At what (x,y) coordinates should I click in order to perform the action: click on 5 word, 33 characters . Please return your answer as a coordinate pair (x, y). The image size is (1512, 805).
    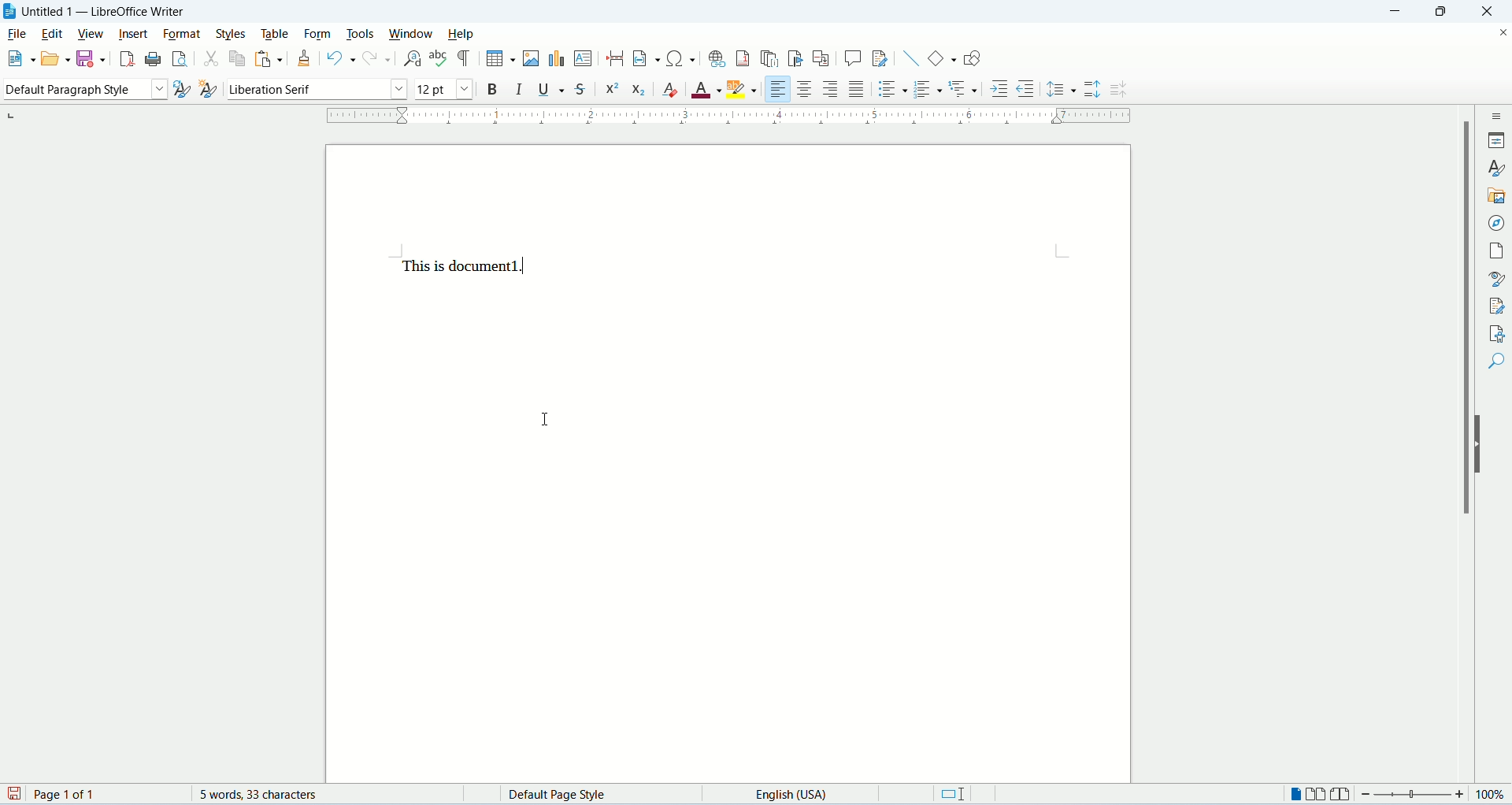
    Looking at the image, I should click on (267, 795).